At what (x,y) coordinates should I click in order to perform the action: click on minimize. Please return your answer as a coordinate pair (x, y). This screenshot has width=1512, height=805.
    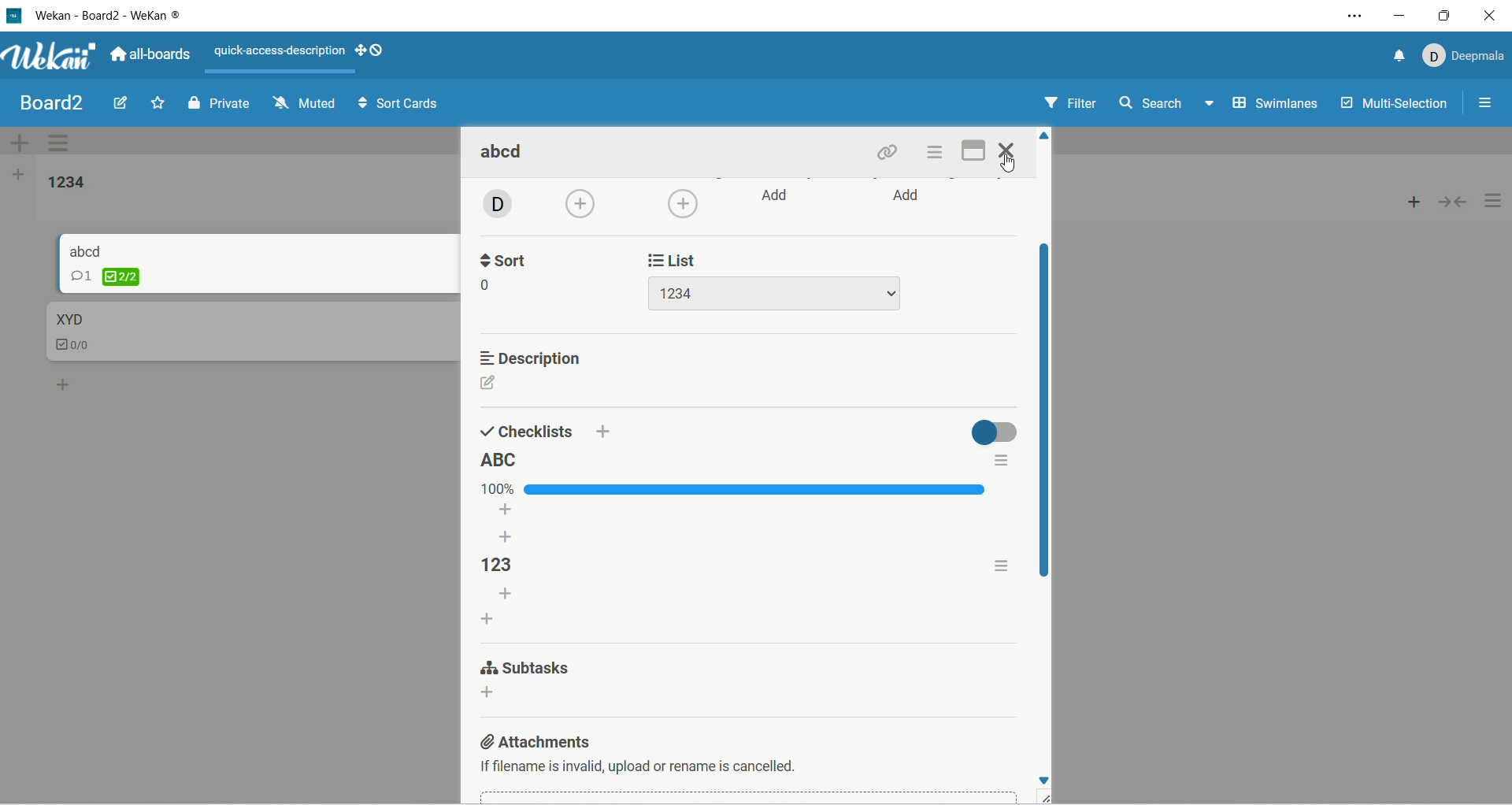
    Looking at the image, I should click on (1403, 19).